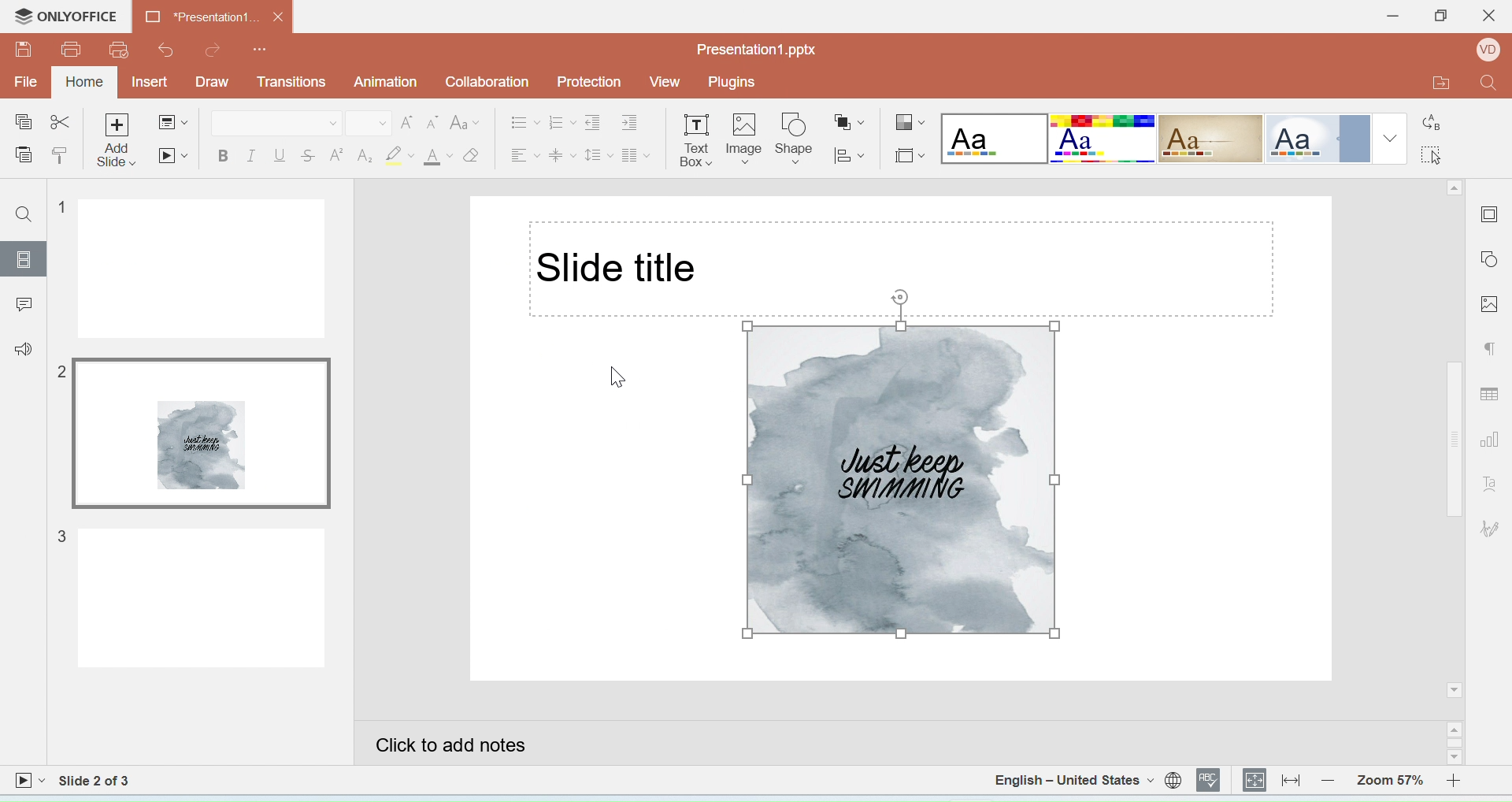 Image resolution: width=1512 pixels, height=802 pixels. I want to click on Underline, so click(280, 156).